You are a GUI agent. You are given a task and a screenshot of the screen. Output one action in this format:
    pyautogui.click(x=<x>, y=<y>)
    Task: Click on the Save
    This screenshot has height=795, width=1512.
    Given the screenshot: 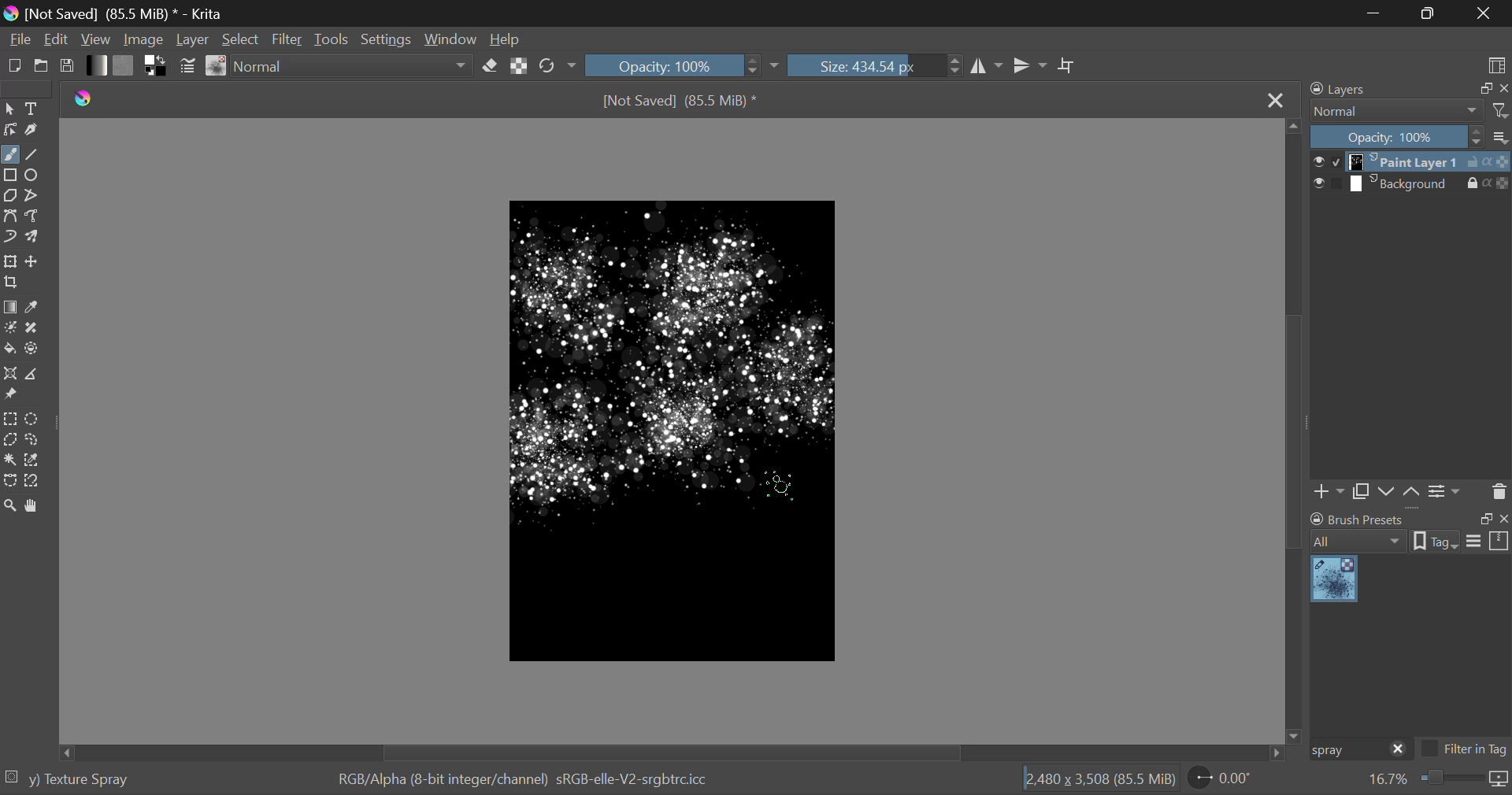 What is the action you would take?
    pyautogui.click(x=65, y=65)
    